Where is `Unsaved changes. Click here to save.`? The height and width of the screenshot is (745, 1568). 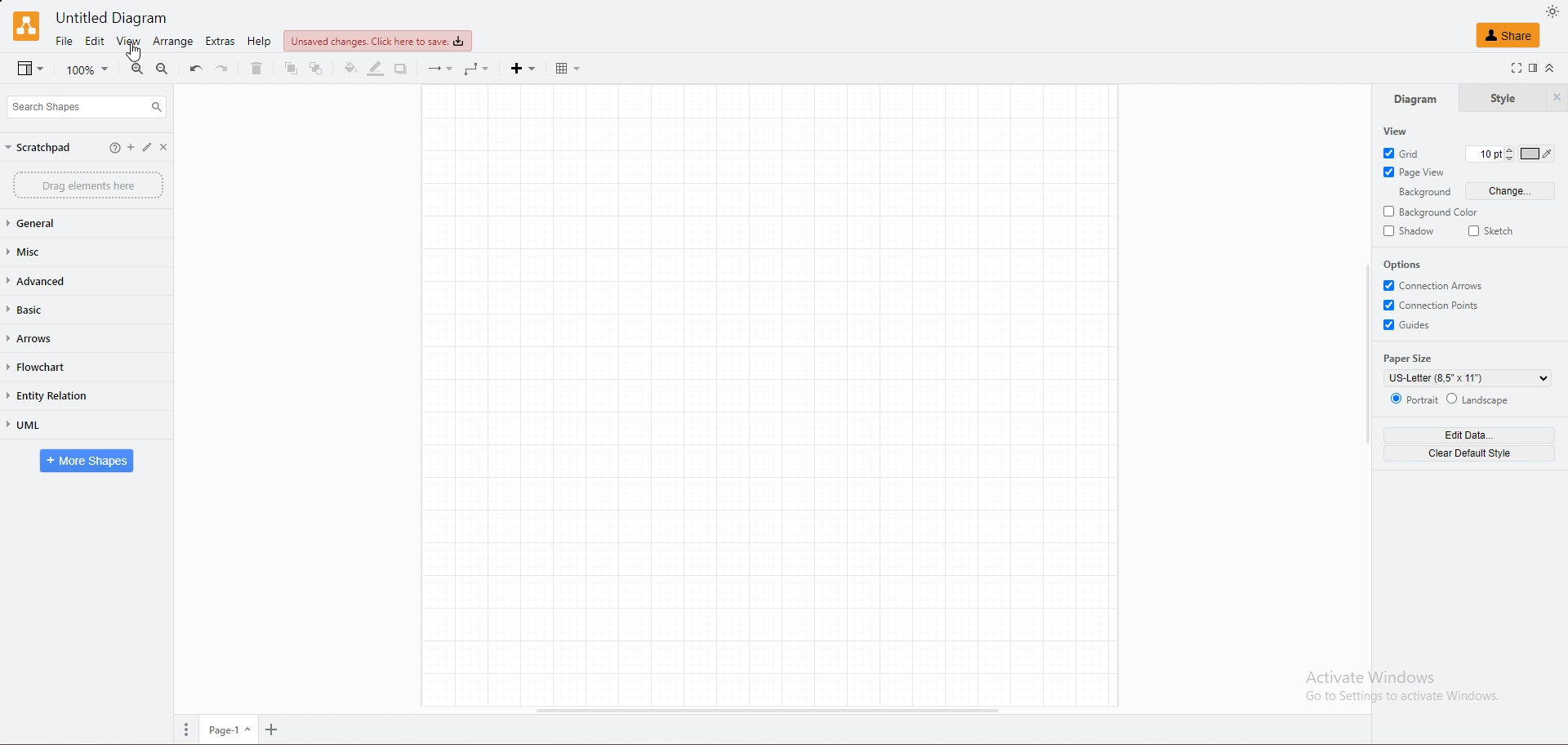
Unsaved changes. Click here to save. is located at coordinates (376, 42).